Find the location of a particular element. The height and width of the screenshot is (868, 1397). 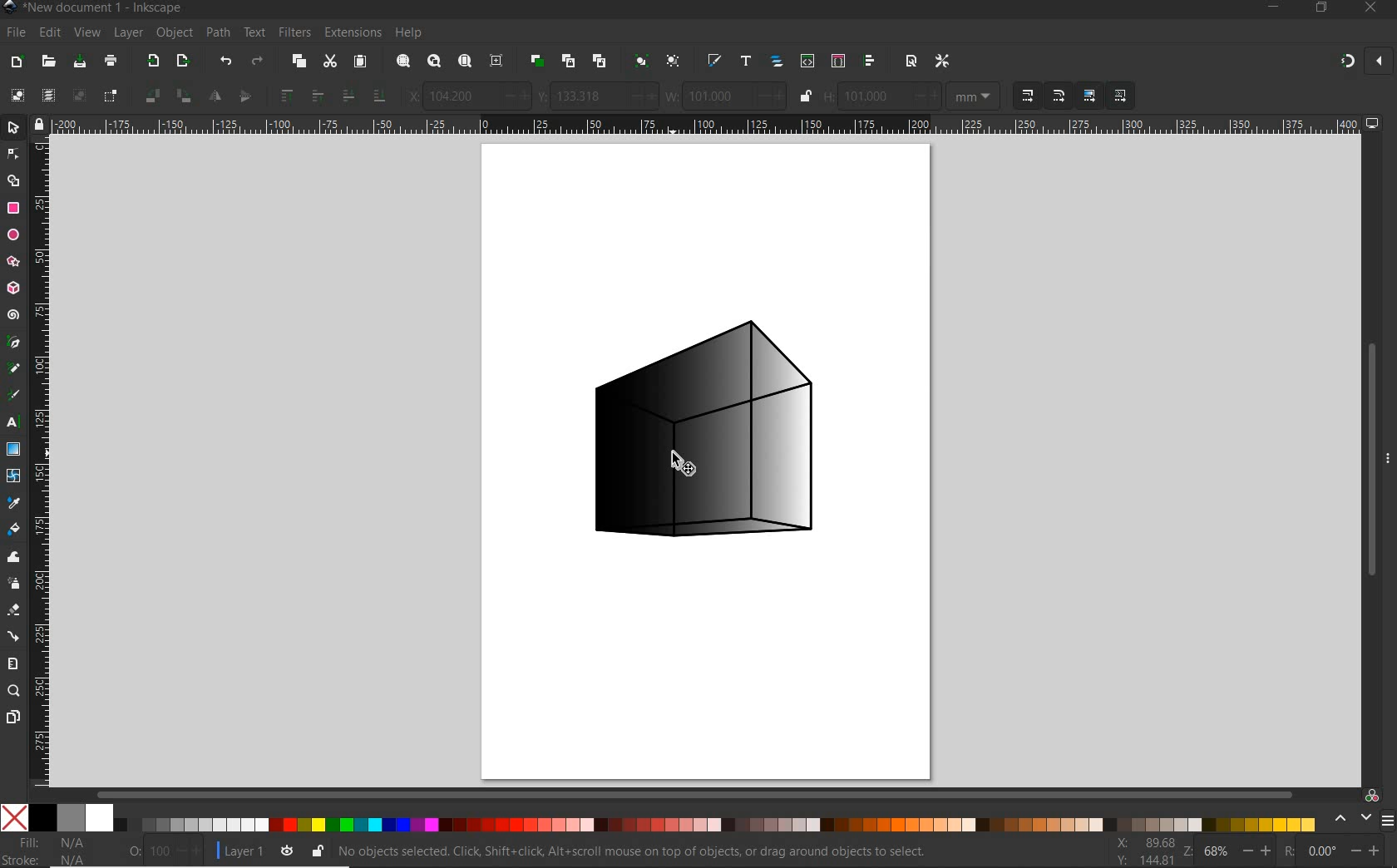

RECTANGLE TOOL is located at coordinates (14, 210).